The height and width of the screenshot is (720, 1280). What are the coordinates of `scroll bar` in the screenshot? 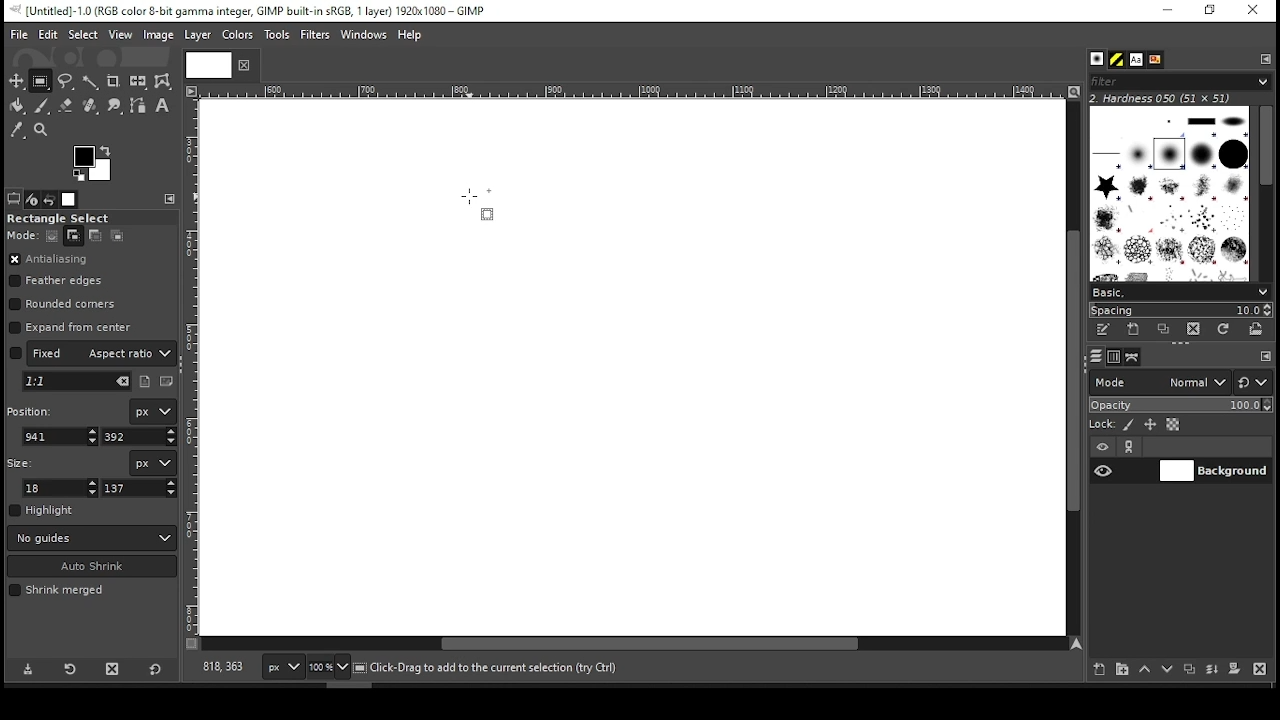 It's located at (1265, 192).